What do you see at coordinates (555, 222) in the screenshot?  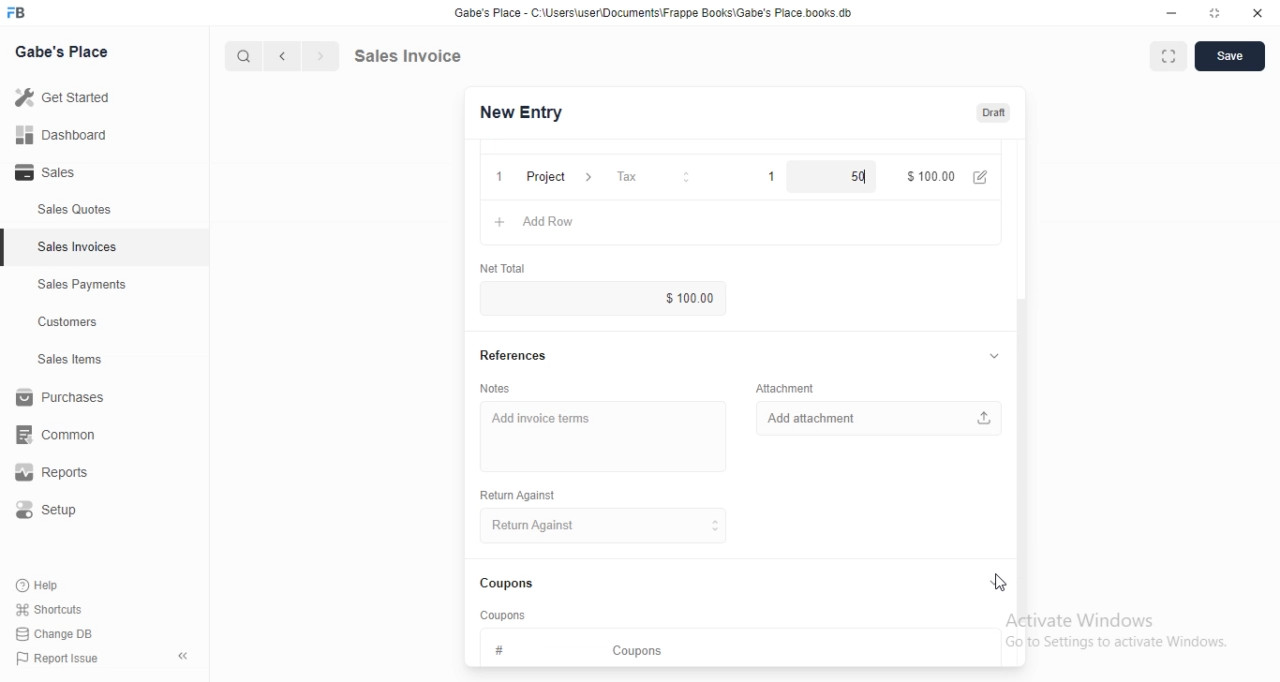 I see `Add row` at bounding box center [555, 222].